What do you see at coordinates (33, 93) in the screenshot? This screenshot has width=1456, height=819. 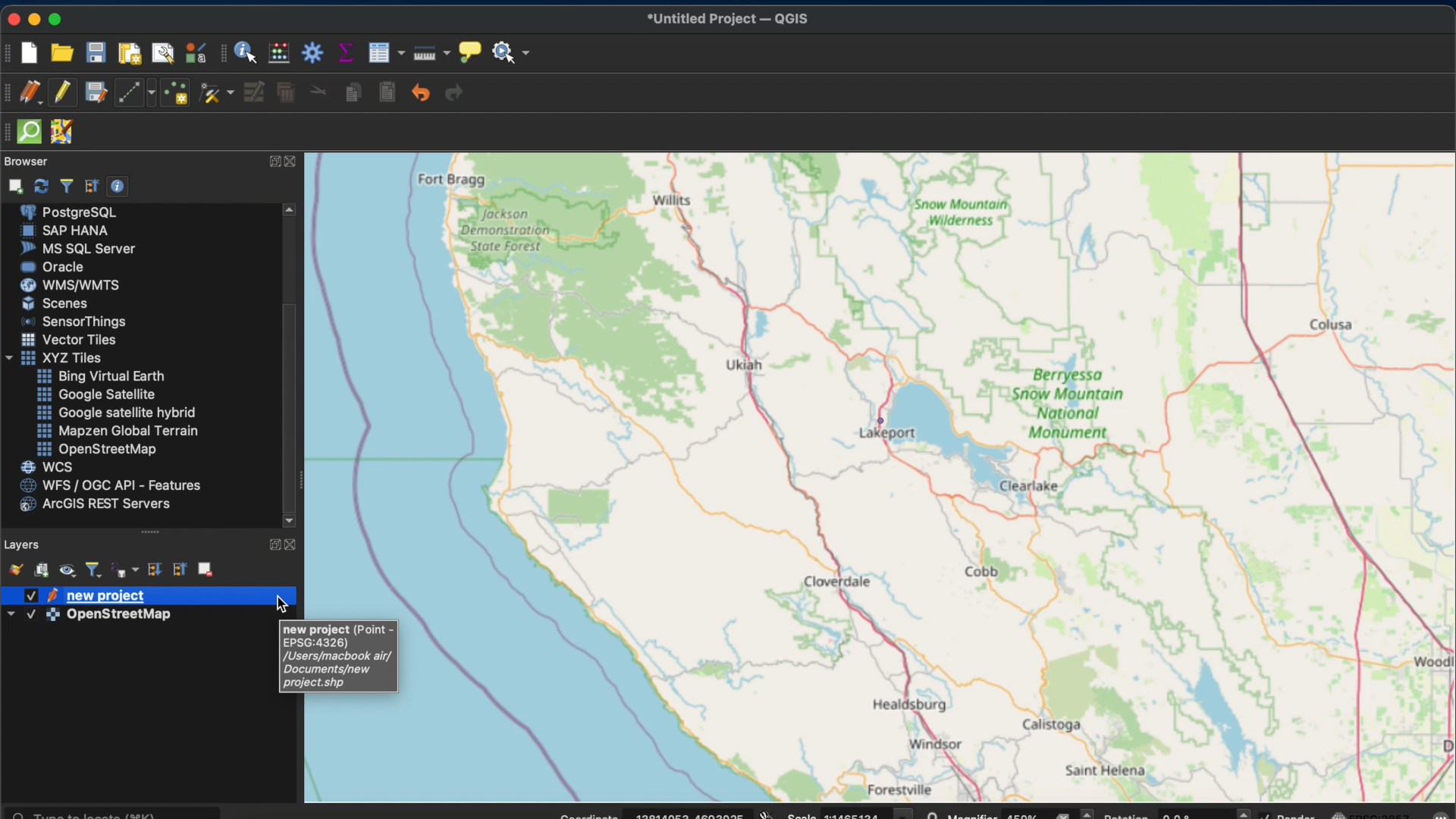 I see `current edits` at bounding box center [33, 93].